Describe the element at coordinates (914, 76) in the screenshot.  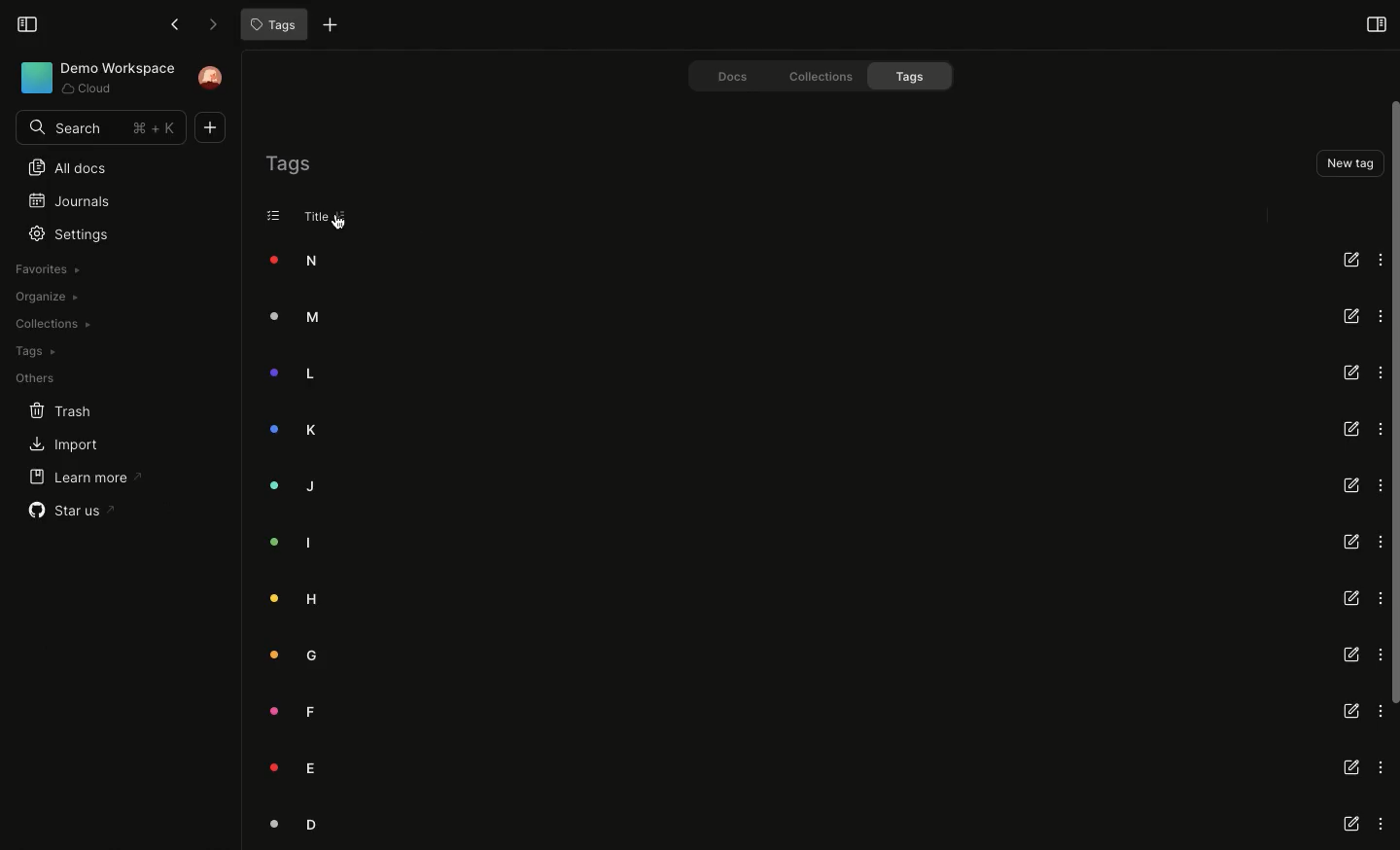
I see `Tags` at that location.